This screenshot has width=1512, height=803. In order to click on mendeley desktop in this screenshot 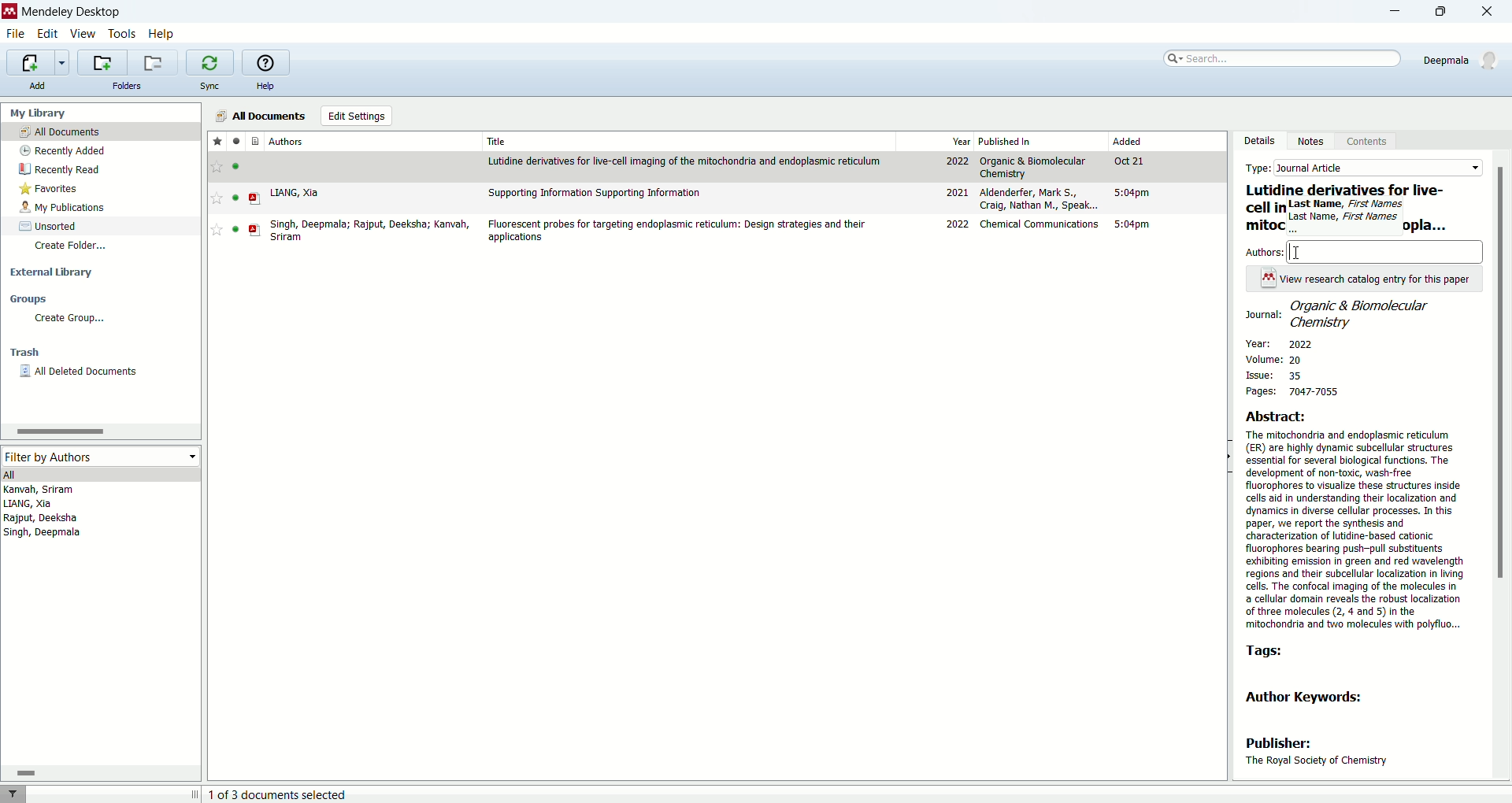, I will do `click(69, 12)`.